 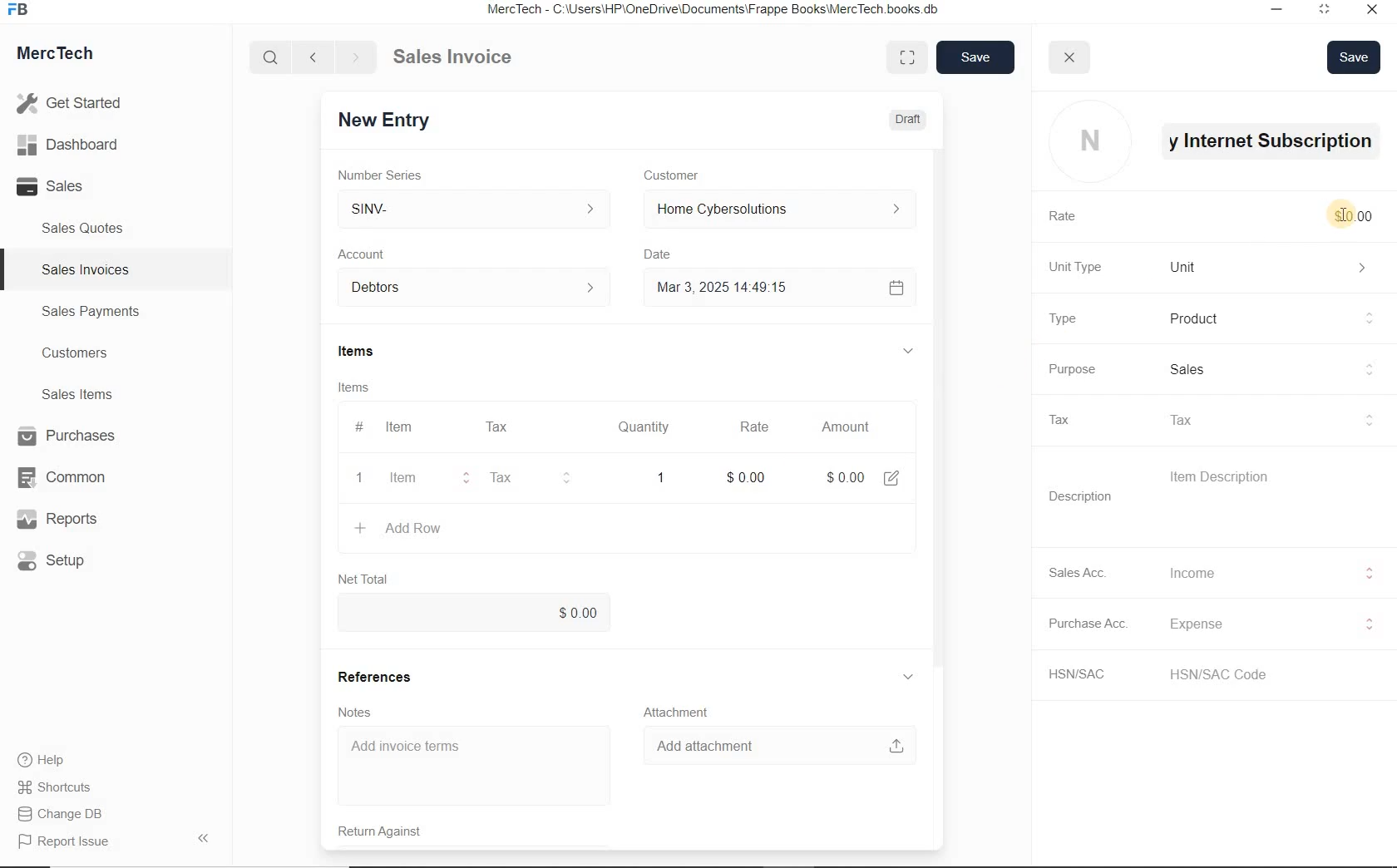 What do you see at coordinates (358, 527) in the screenshot?
I see `create` at bounding box center [358, 527].